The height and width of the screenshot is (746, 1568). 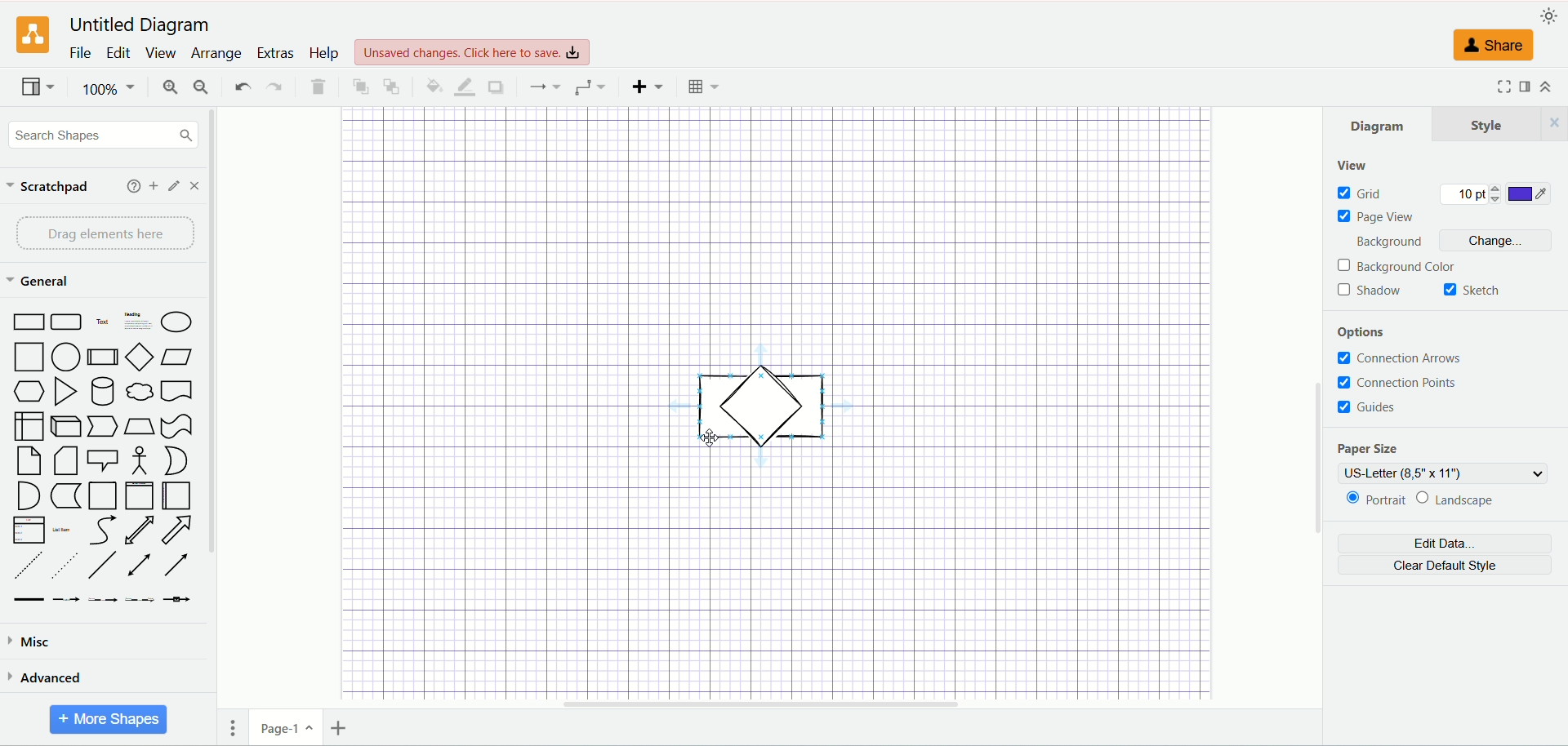 What do you see at coordinates (101, 426) in the screenshot?
I see `Step` at bounding box center [101, 426].